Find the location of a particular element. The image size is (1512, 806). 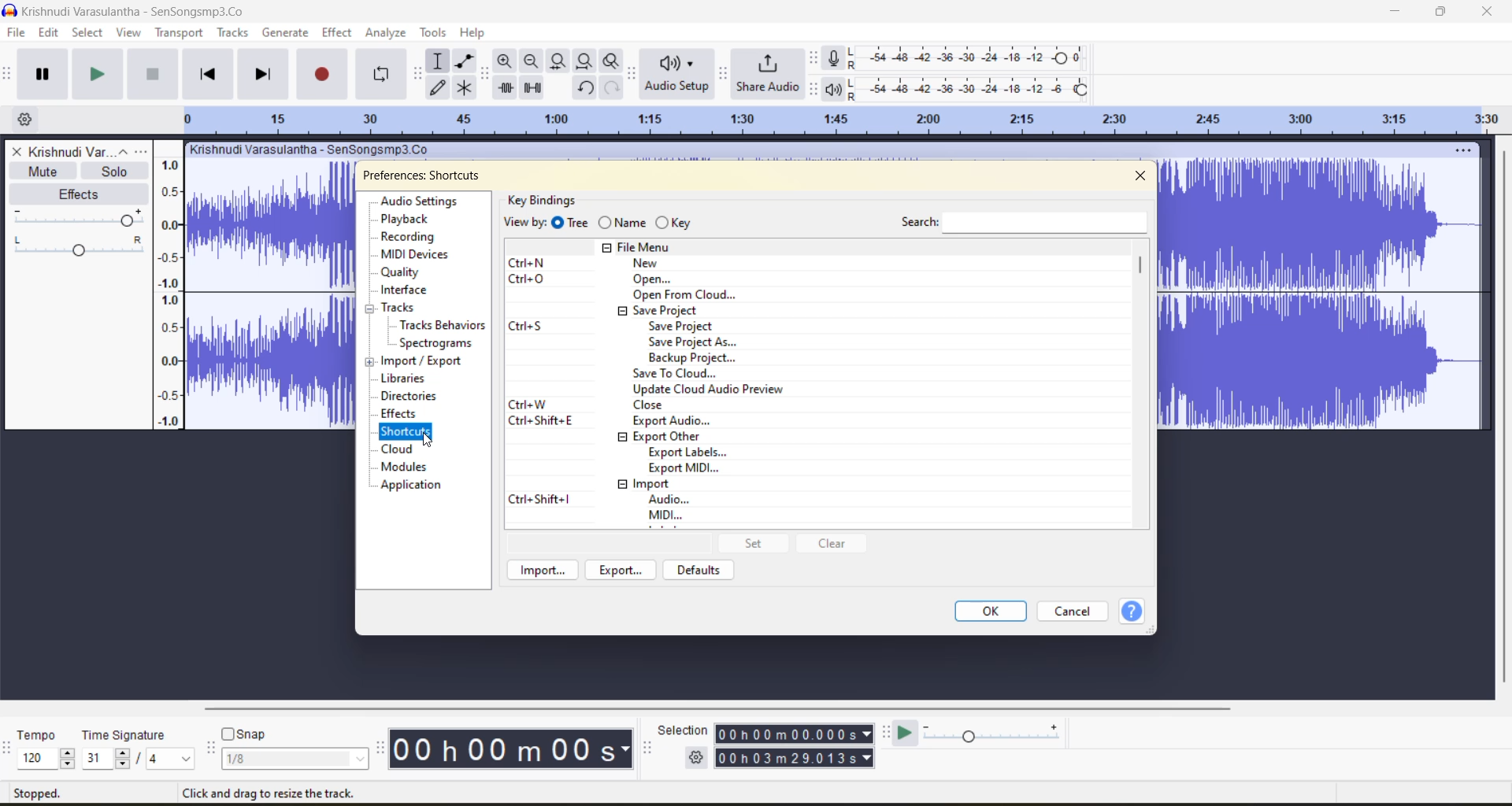

Scale to measure audio is located at coordinates (170, 284).